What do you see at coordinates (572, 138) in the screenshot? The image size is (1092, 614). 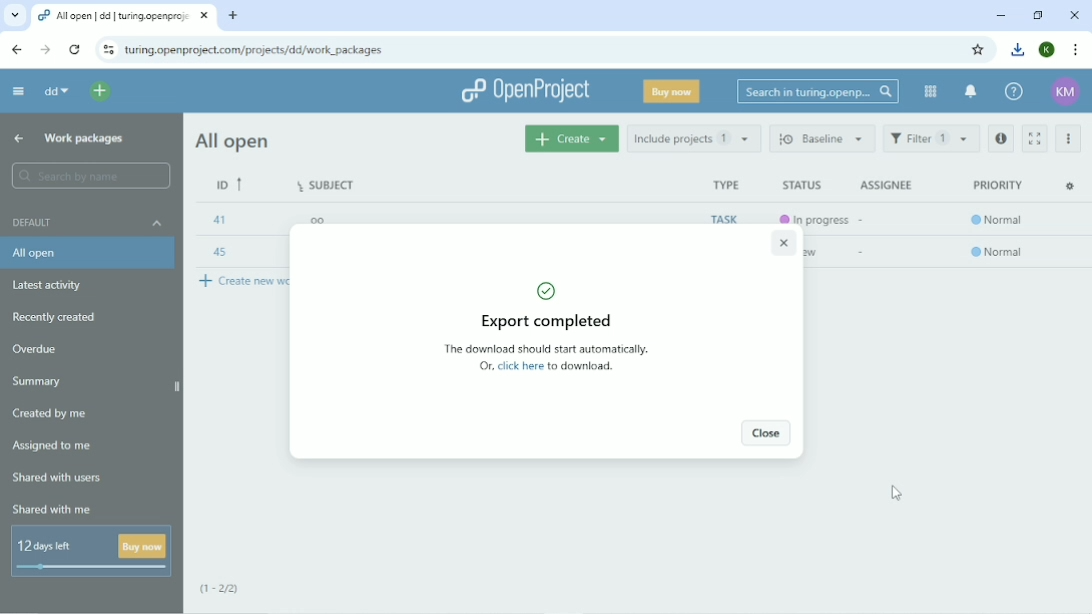 I see `Create` at bounding box center [572, 138].